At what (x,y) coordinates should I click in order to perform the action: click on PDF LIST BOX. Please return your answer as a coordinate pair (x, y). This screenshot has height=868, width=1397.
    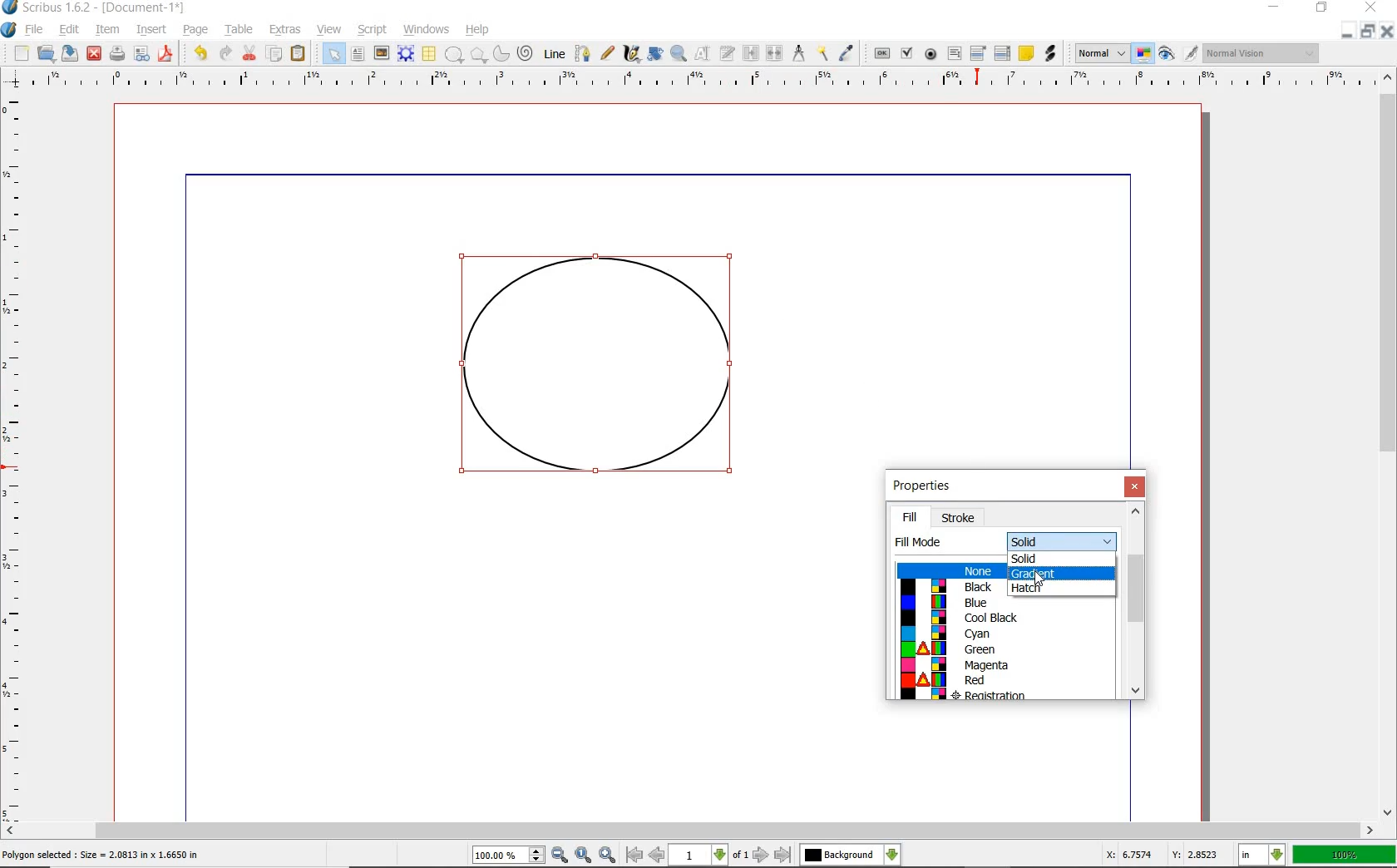
    Looking at the image, I should click on (1004, 53).